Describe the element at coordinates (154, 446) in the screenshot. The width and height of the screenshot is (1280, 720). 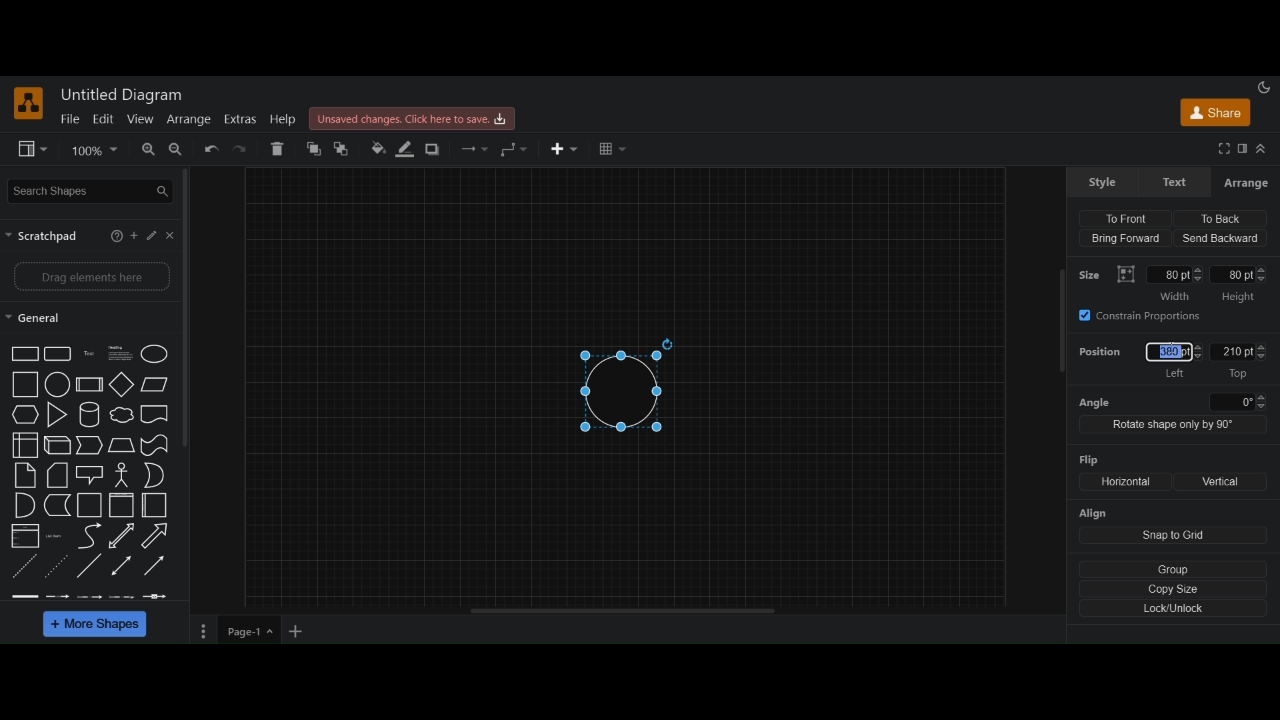
I see `free shape` at that location.